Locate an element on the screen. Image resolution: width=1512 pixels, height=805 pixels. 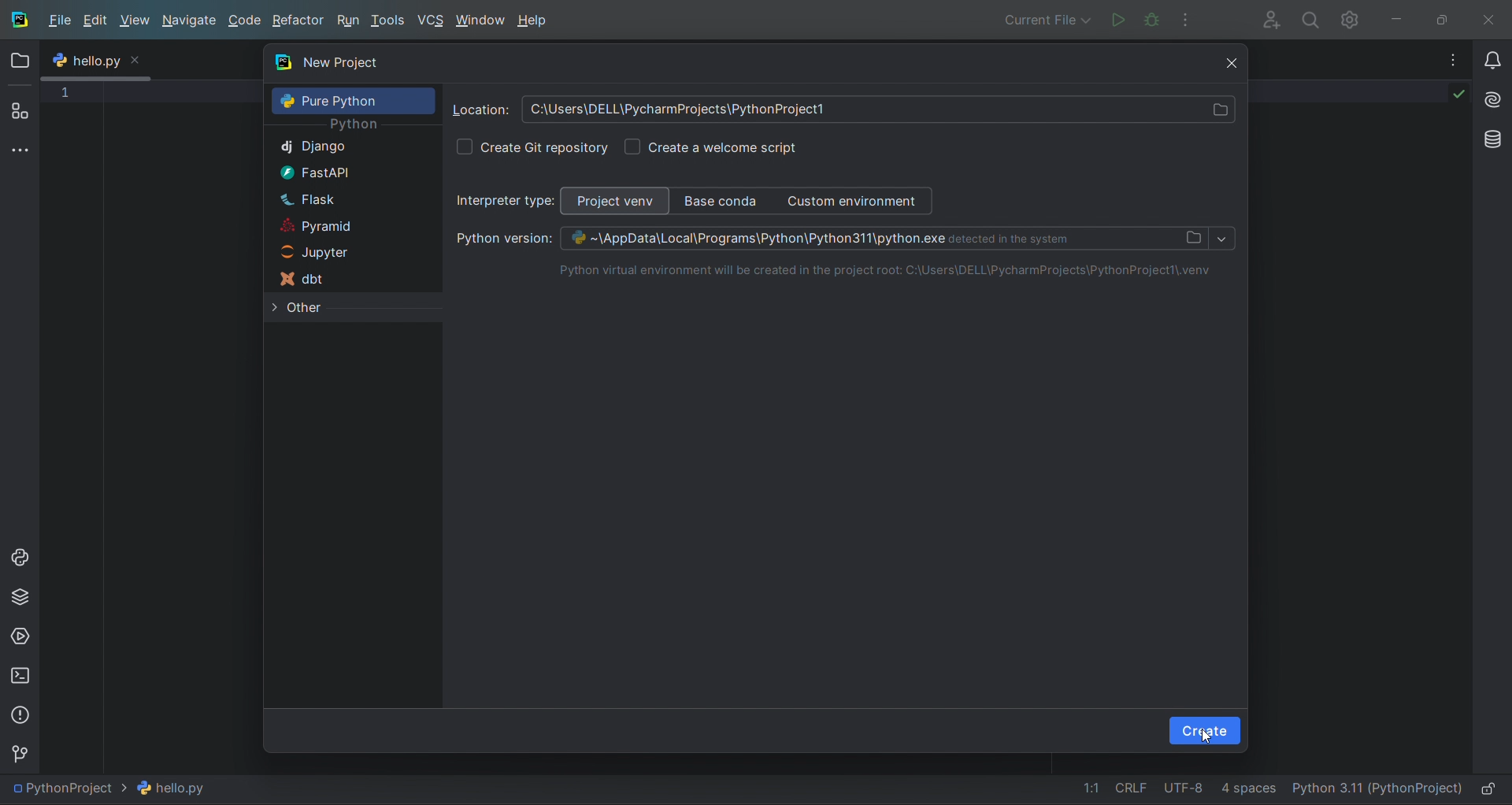
ai assistant is located at coordinates (1490, 95).